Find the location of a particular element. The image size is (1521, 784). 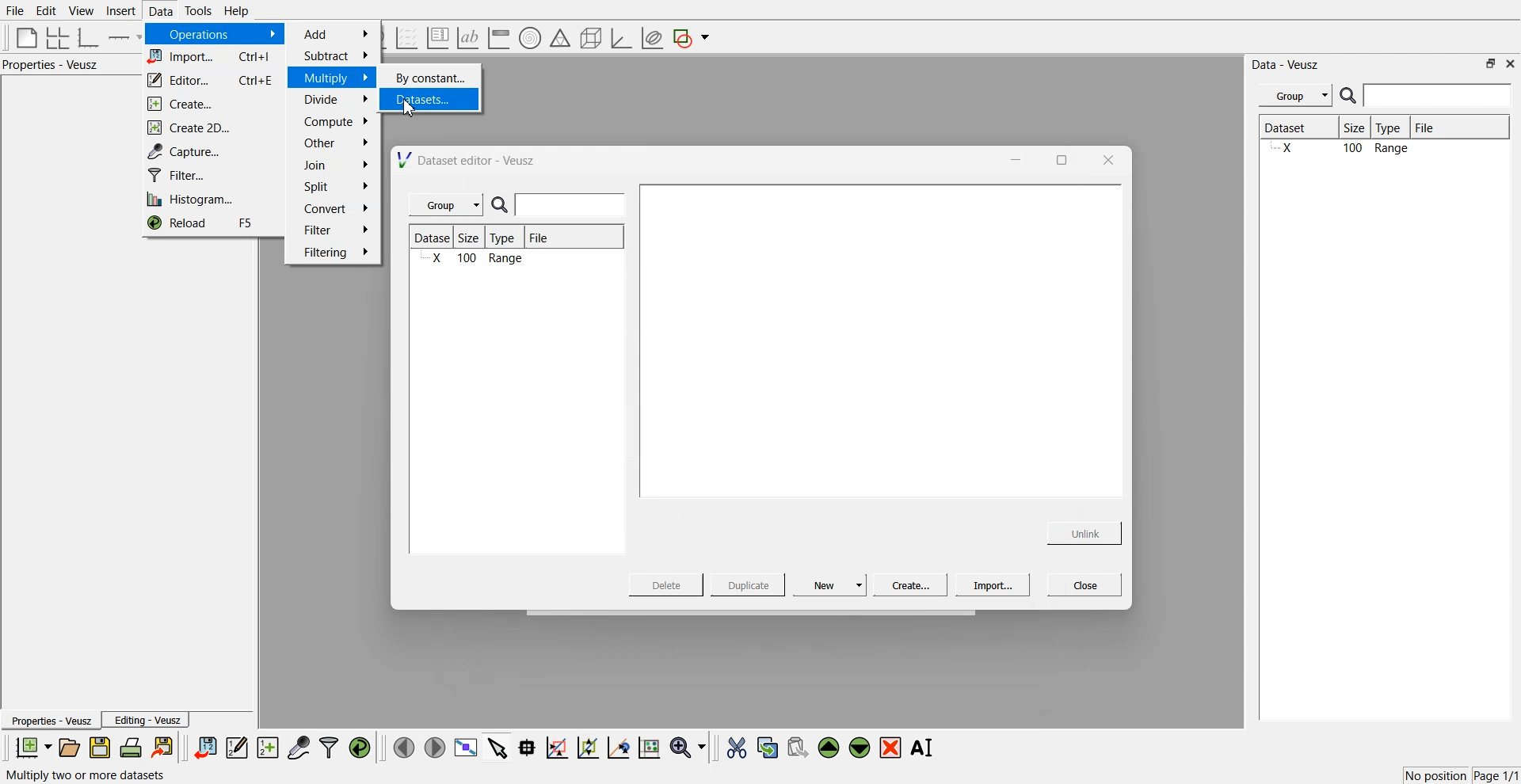

Operations is located at coordinates (212, 34).